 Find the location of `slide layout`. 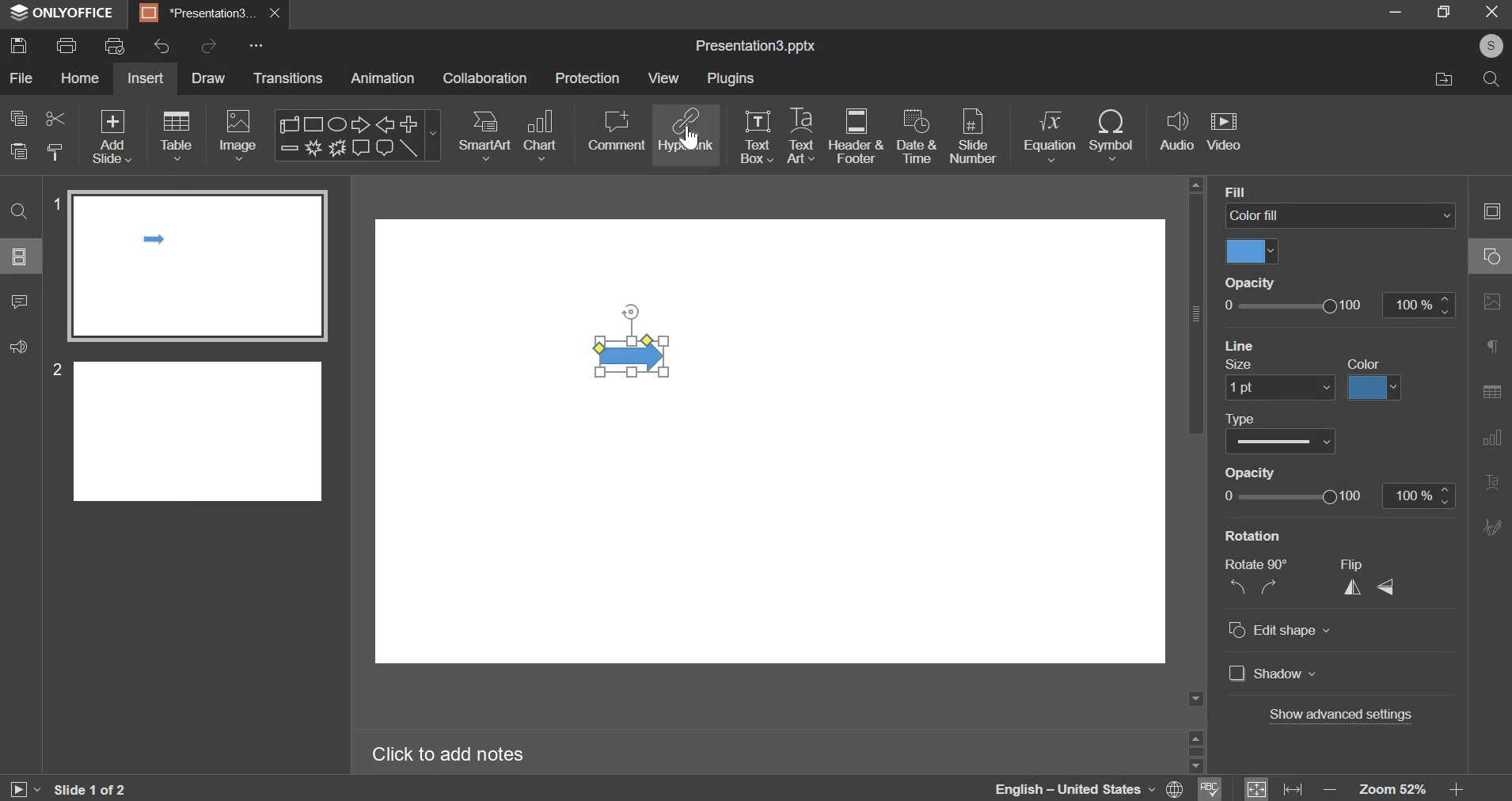

slide layout is located at coordinates (19, 256).